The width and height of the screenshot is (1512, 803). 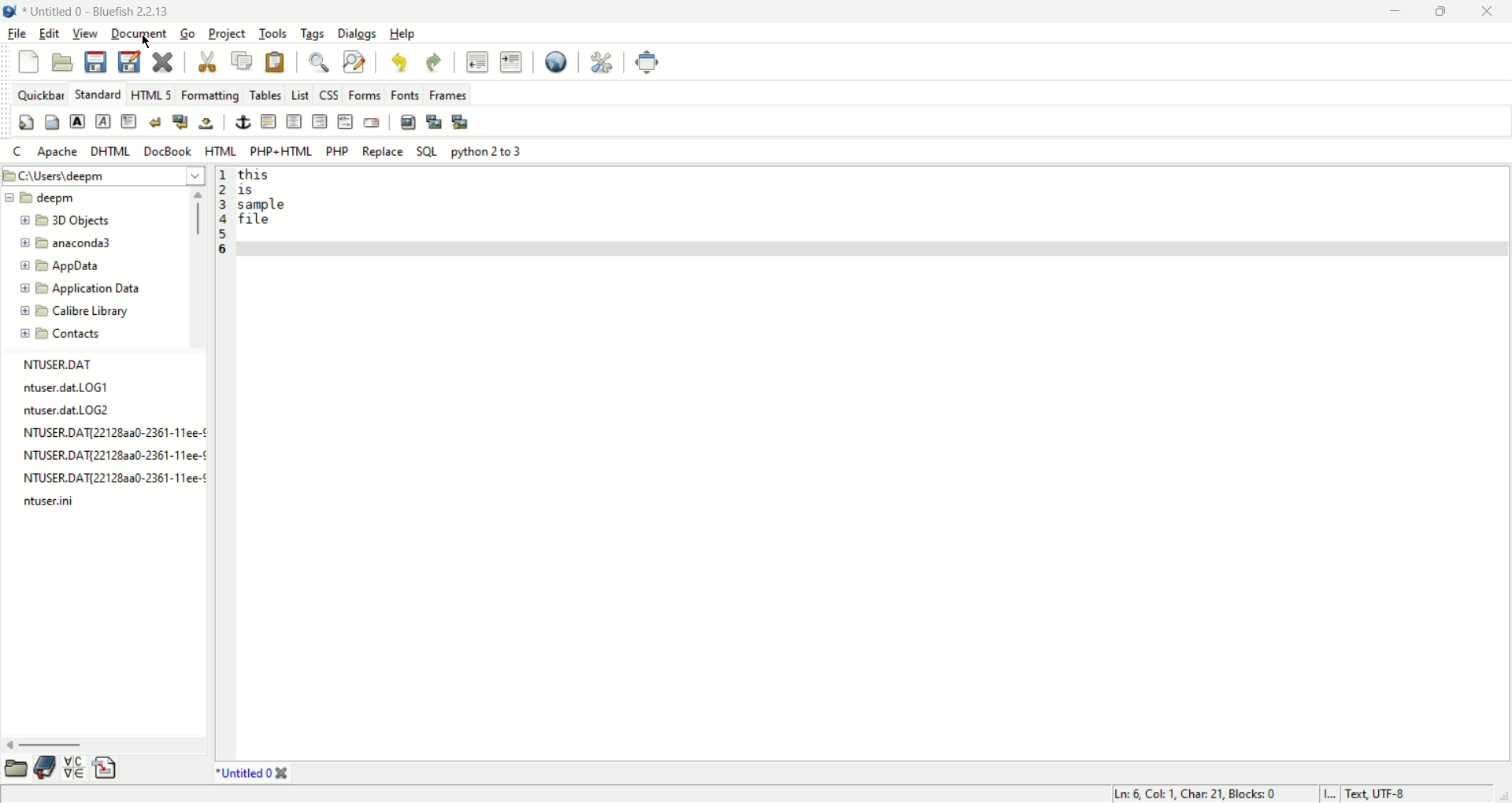 I want to click on contacts, so click(x=62, y=334).